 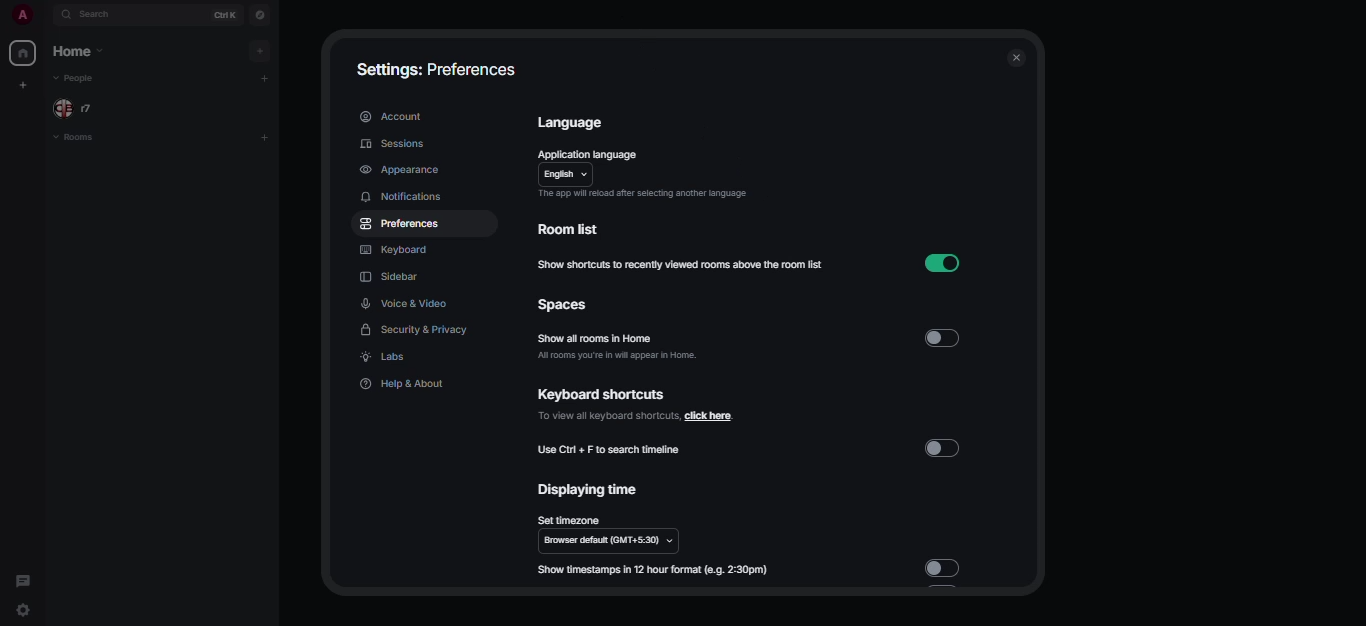 What do you see at coordinates (408, 383) in the screenshot?
I see `help & about` at bounding box center [408, 383].